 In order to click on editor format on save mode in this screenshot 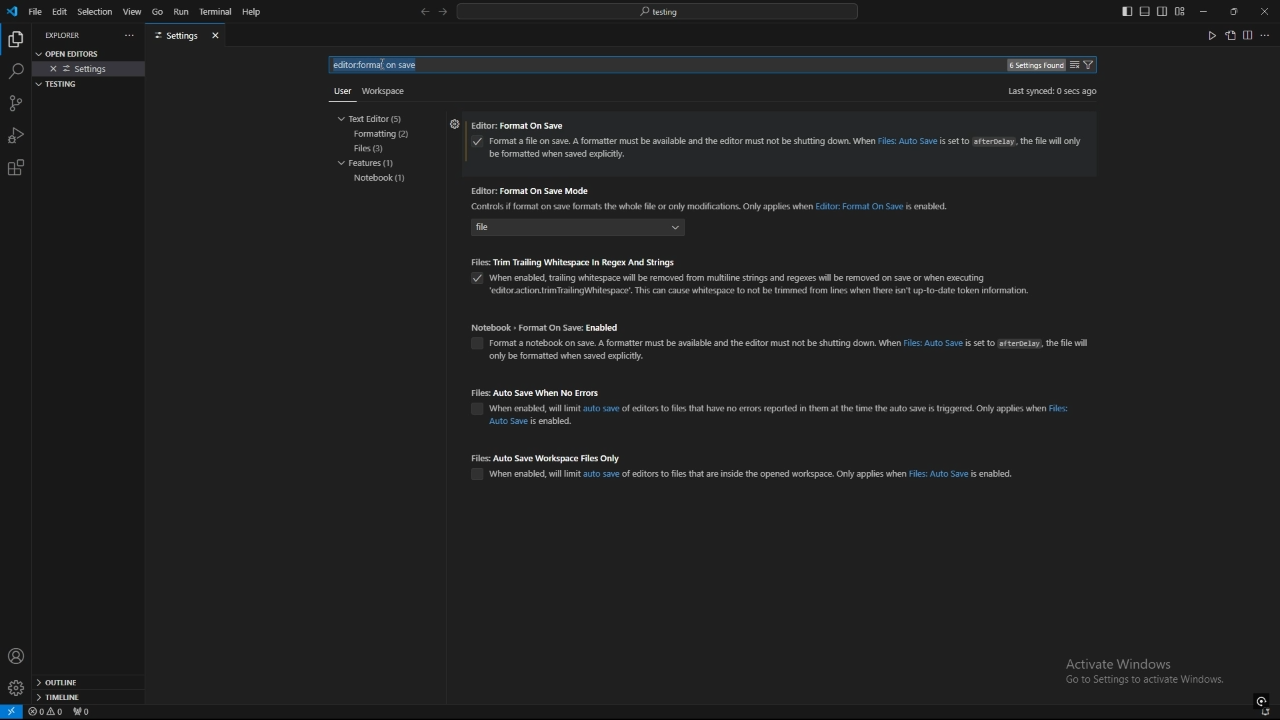, I will do `click(719, 190)`.